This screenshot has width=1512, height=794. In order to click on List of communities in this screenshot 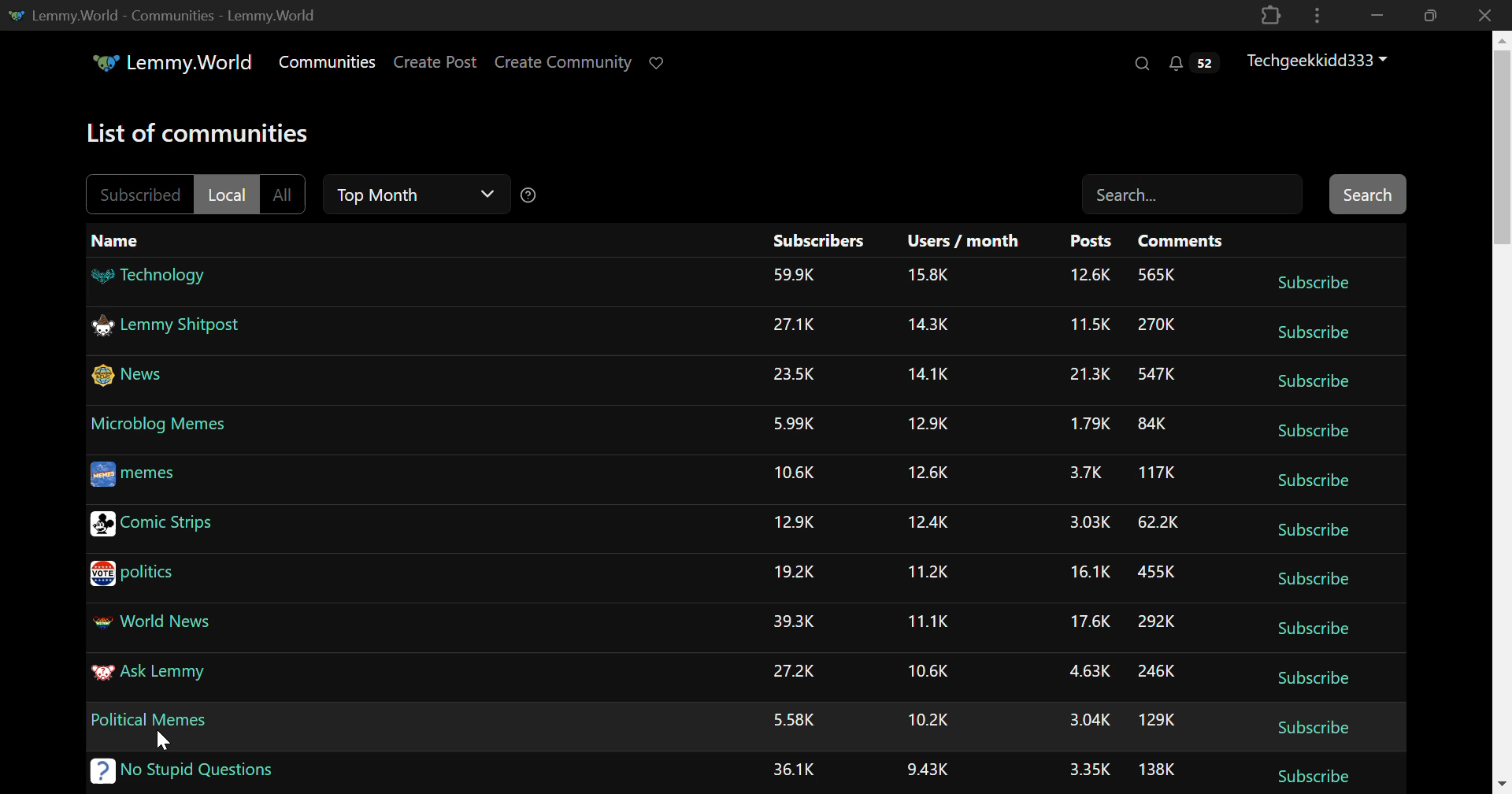, I will do `click(203, 131)`.